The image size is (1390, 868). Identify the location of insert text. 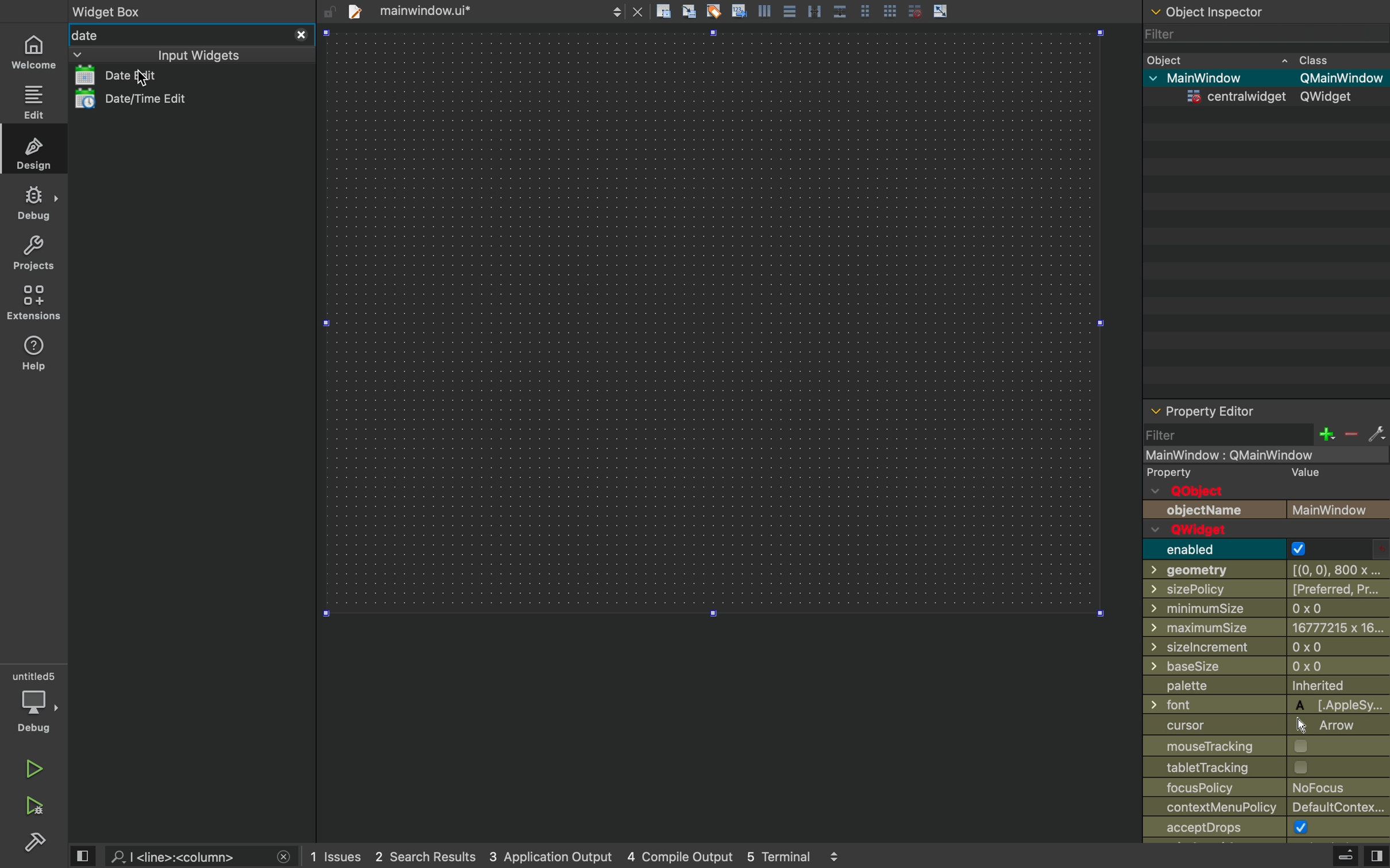
(738, 10).